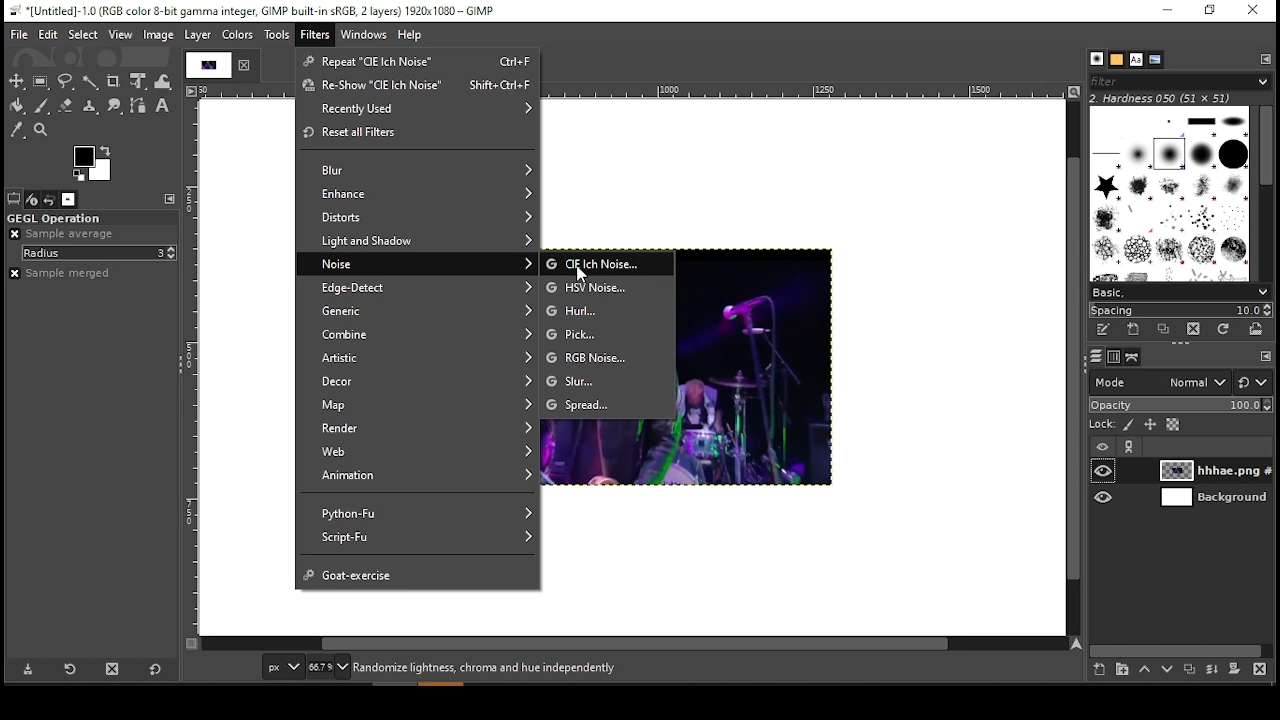 This screenshot has width=1280, height=720. Describe the element at coordinates (138, 81) in the screenshot. I see `unified transform tool` at that location.